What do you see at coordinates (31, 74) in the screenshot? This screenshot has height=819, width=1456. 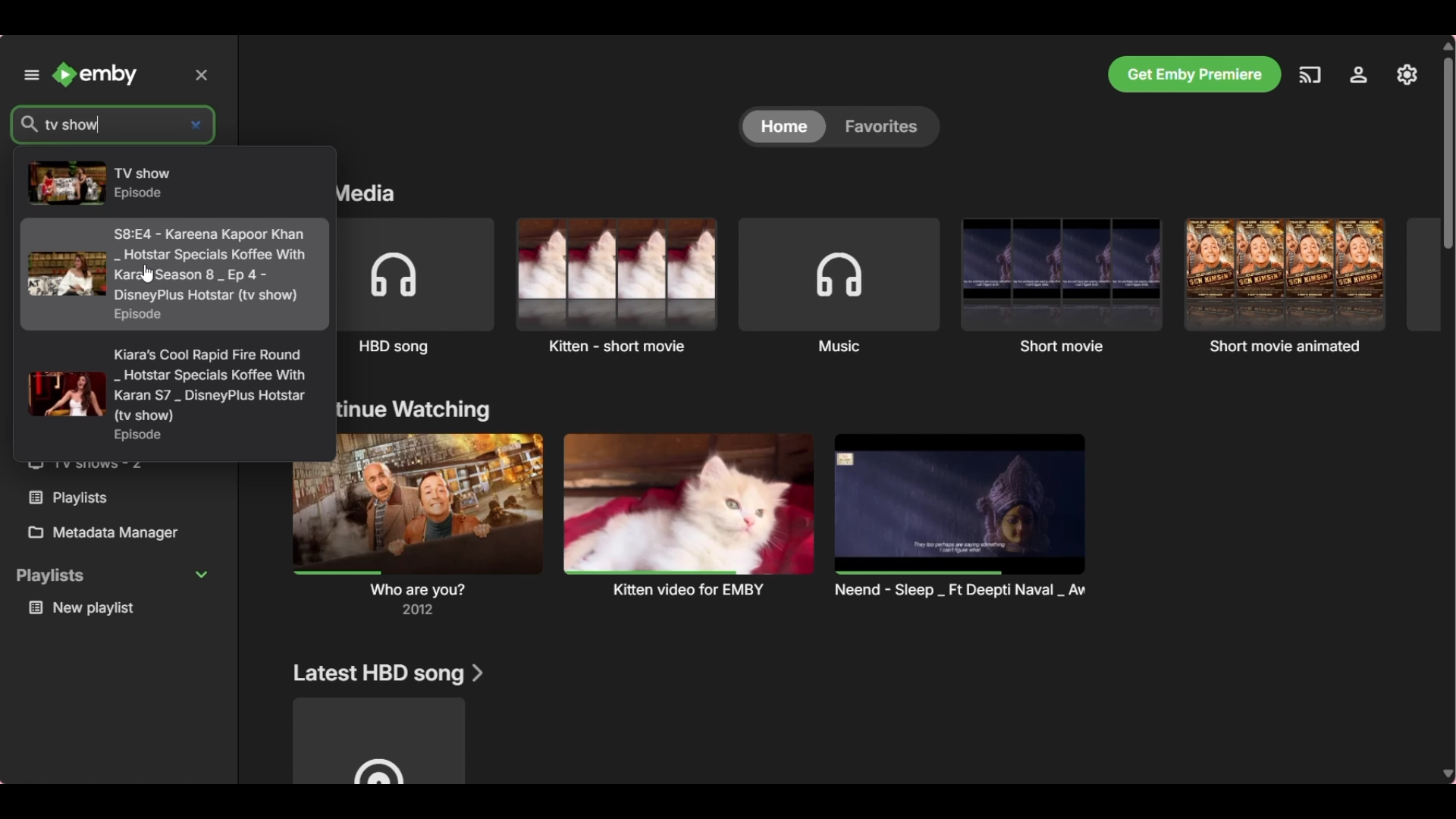 I see `Unpin left panel` at bounding box center [31, 74].